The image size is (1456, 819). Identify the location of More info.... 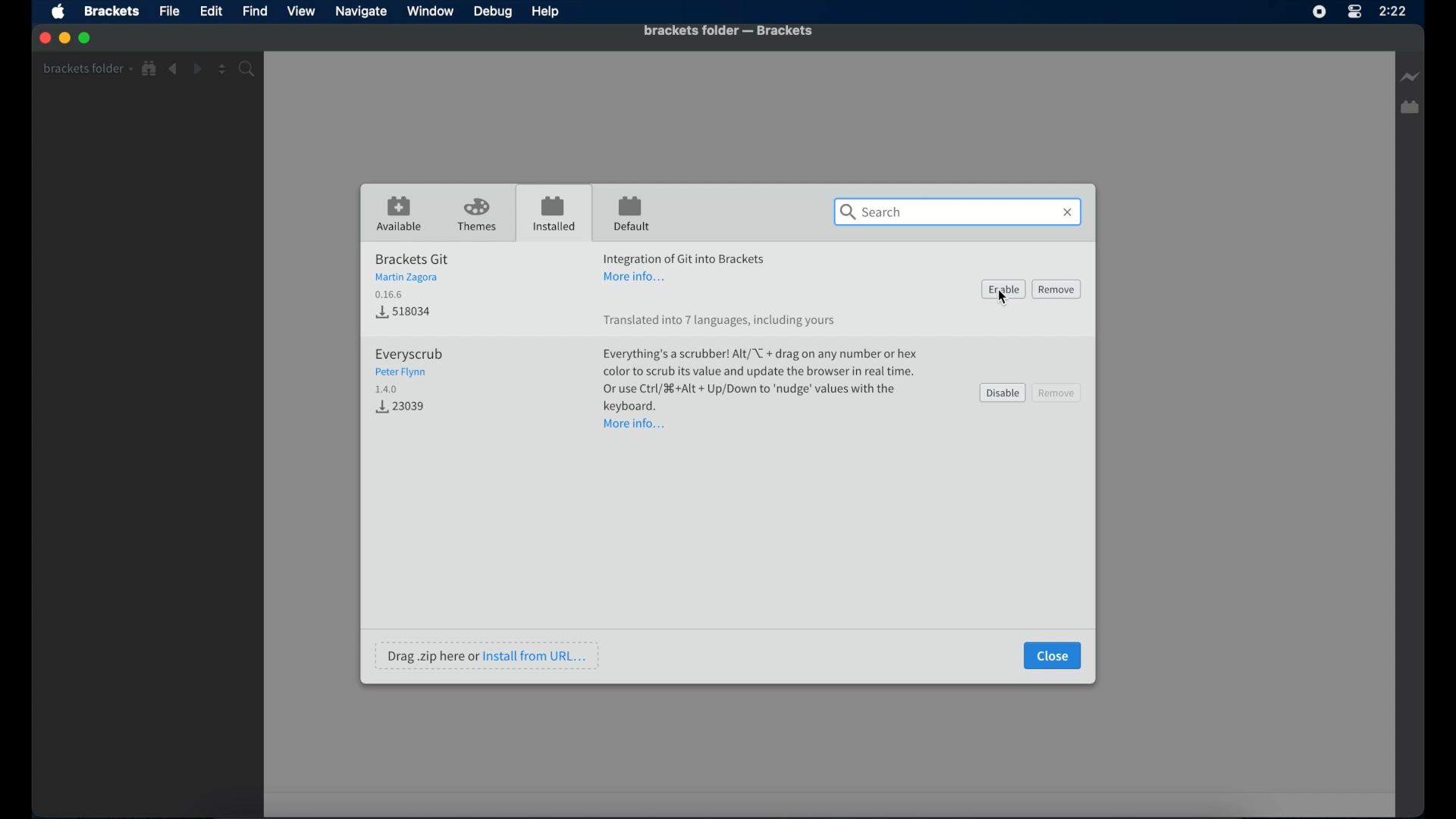
(639, 278).